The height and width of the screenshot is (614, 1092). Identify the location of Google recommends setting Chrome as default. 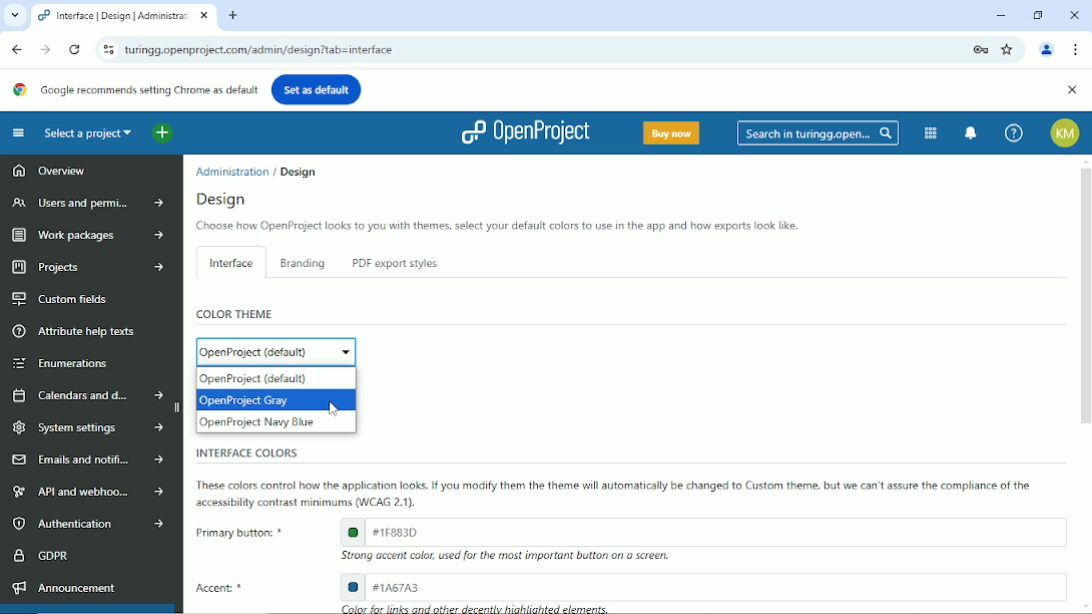
(135, 89).